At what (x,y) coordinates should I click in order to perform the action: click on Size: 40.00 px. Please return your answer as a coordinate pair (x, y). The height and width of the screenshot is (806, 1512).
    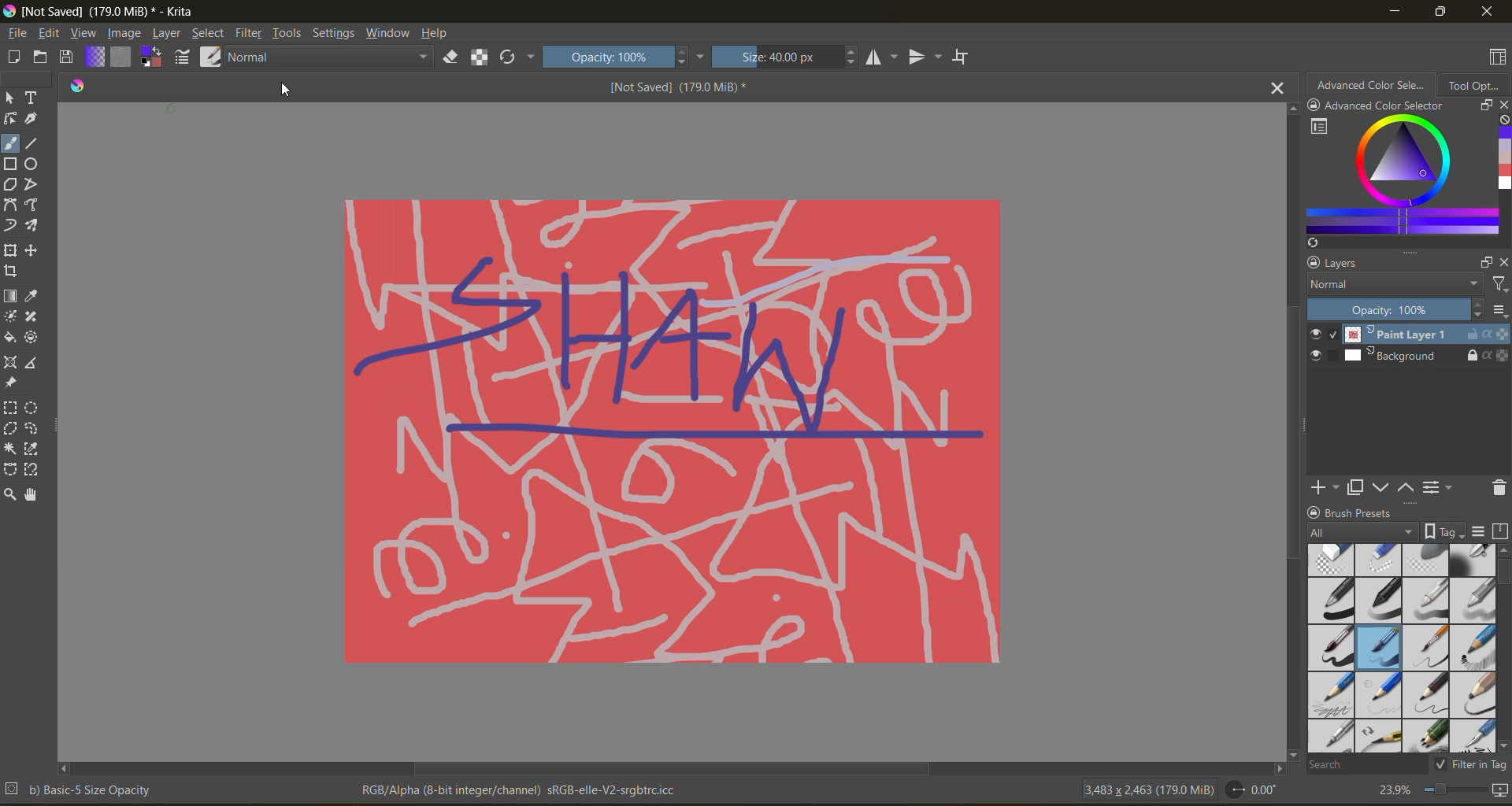
    Looking at the image, I should click on (785, 57).